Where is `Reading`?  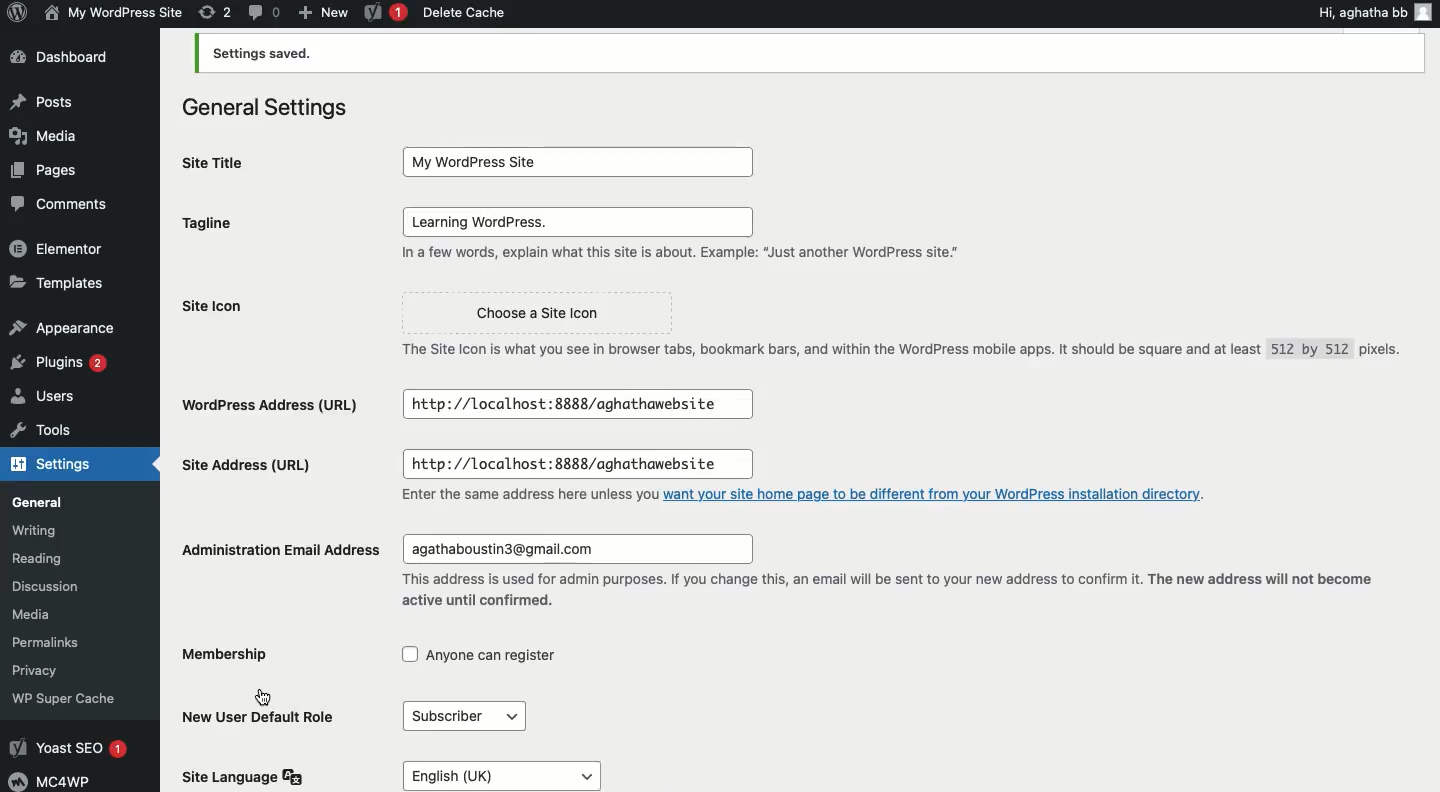 Reading is located at coordinates (49, 556).